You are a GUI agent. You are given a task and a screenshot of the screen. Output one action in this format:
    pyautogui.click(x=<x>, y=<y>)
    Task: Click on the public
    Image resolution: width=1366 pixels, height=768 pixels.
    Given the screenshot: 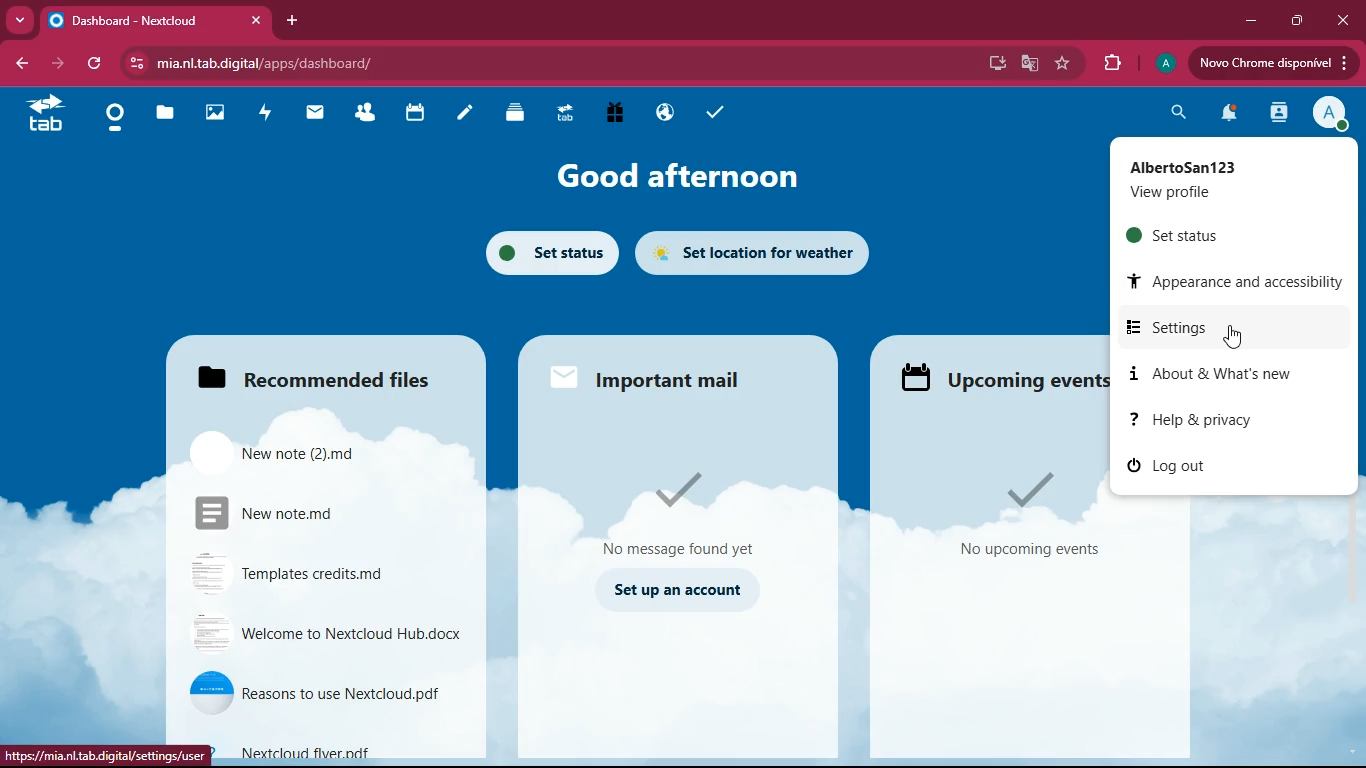 What is the action you would take?
    pyautogui.click(x=666, y=114)
    